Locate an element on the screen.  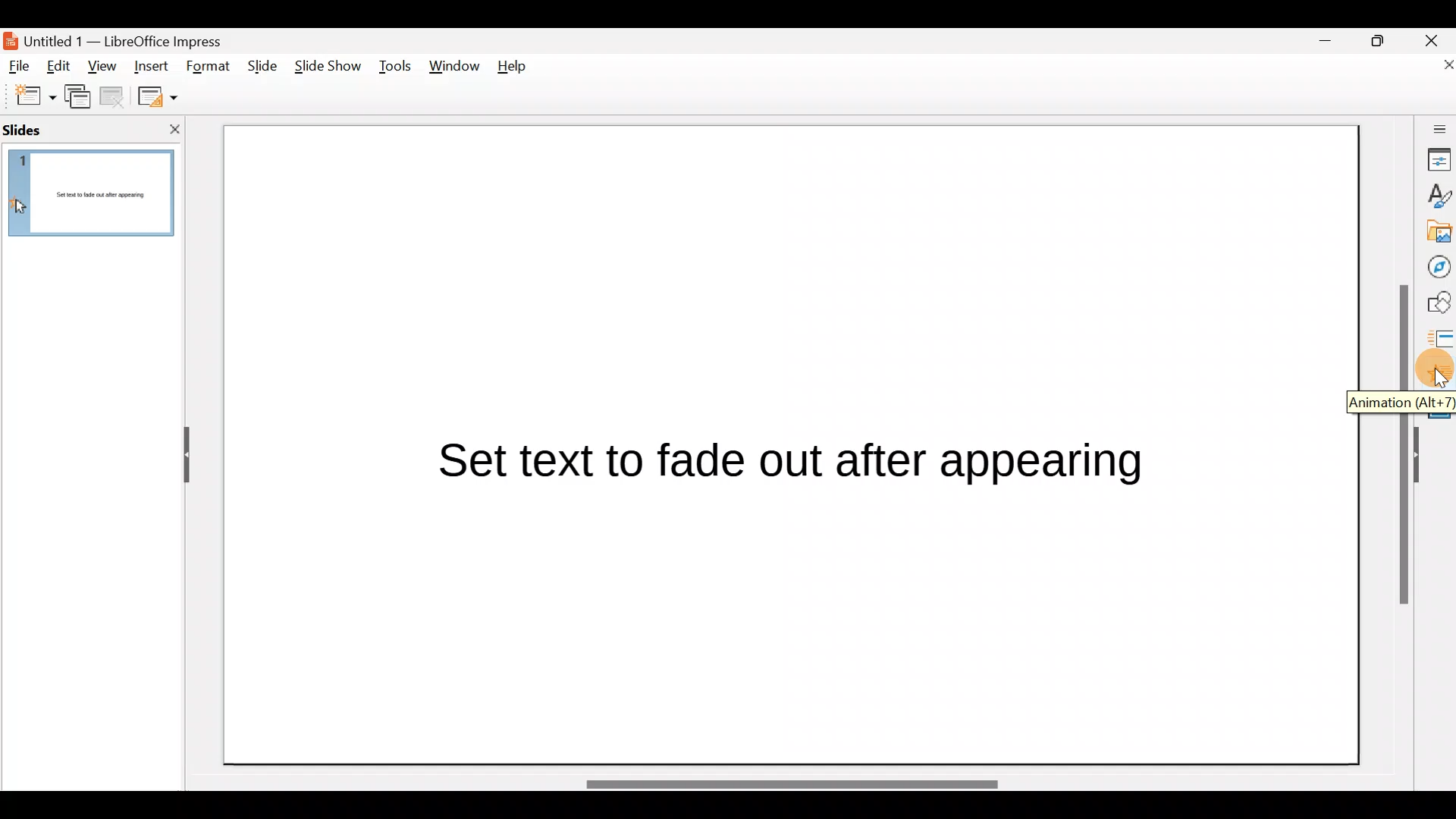
Duplicate slide is located at coordinates (80, 99).